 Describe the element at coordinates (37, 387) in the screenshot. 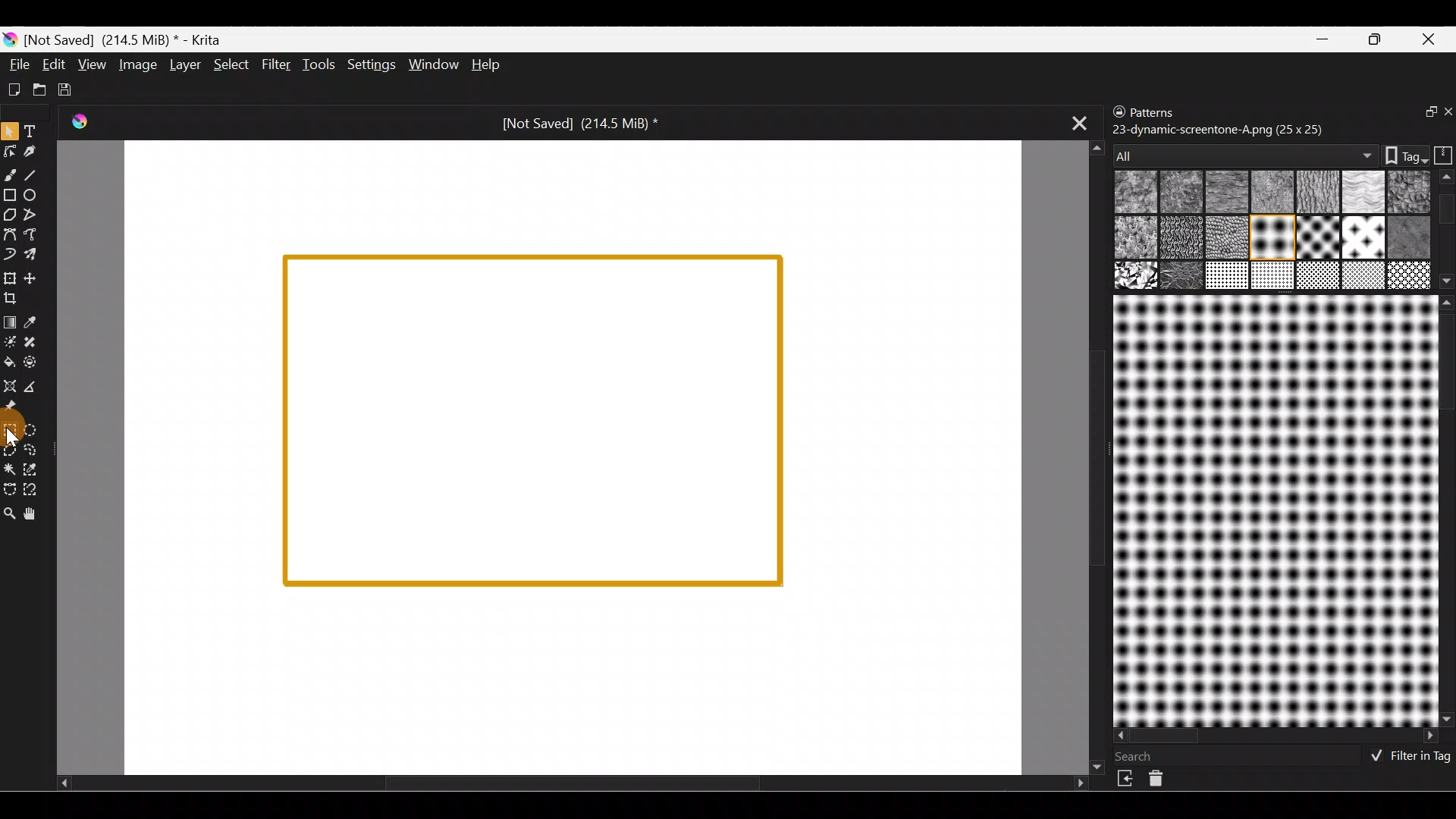

I see `Measure the distance between two points` at that location.